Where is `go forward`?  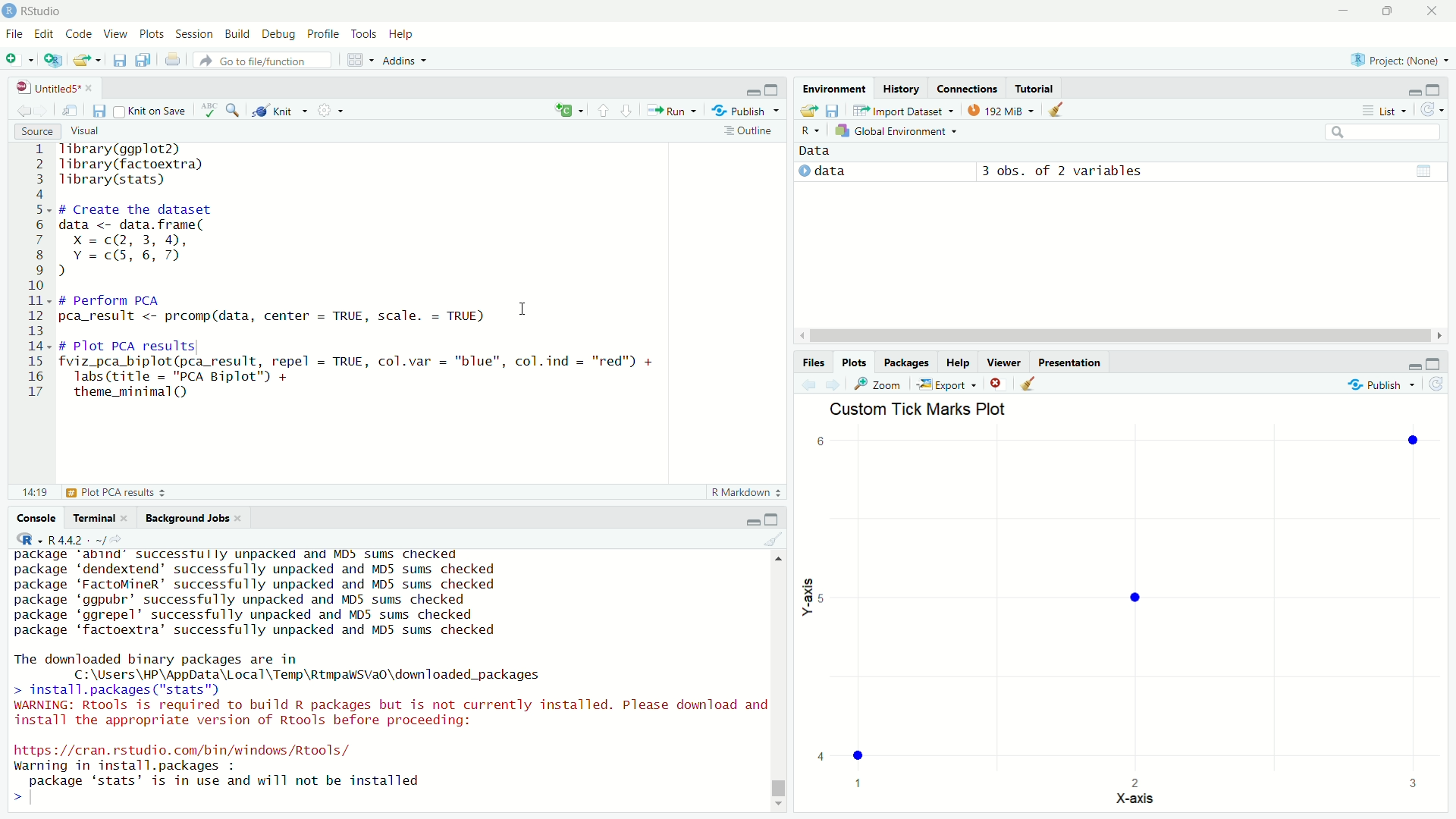 go forward is located at coordinates (835, 384).